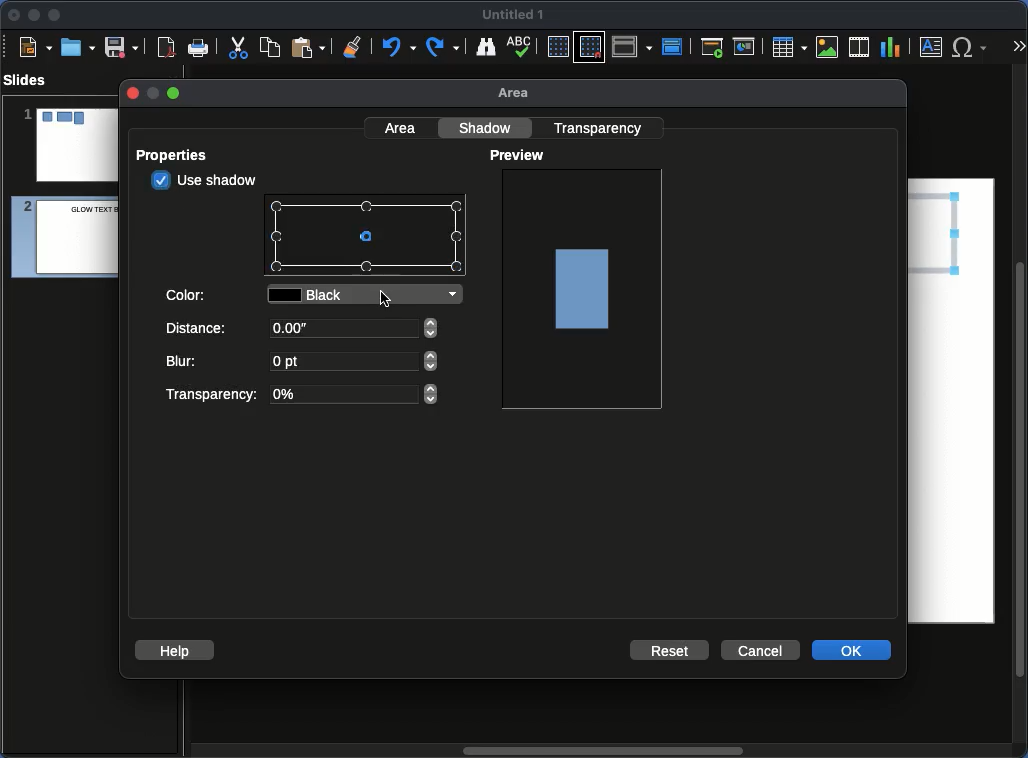  Describe the element at coordinates (188, 293) in the screenshot. I see `Color` at that location.